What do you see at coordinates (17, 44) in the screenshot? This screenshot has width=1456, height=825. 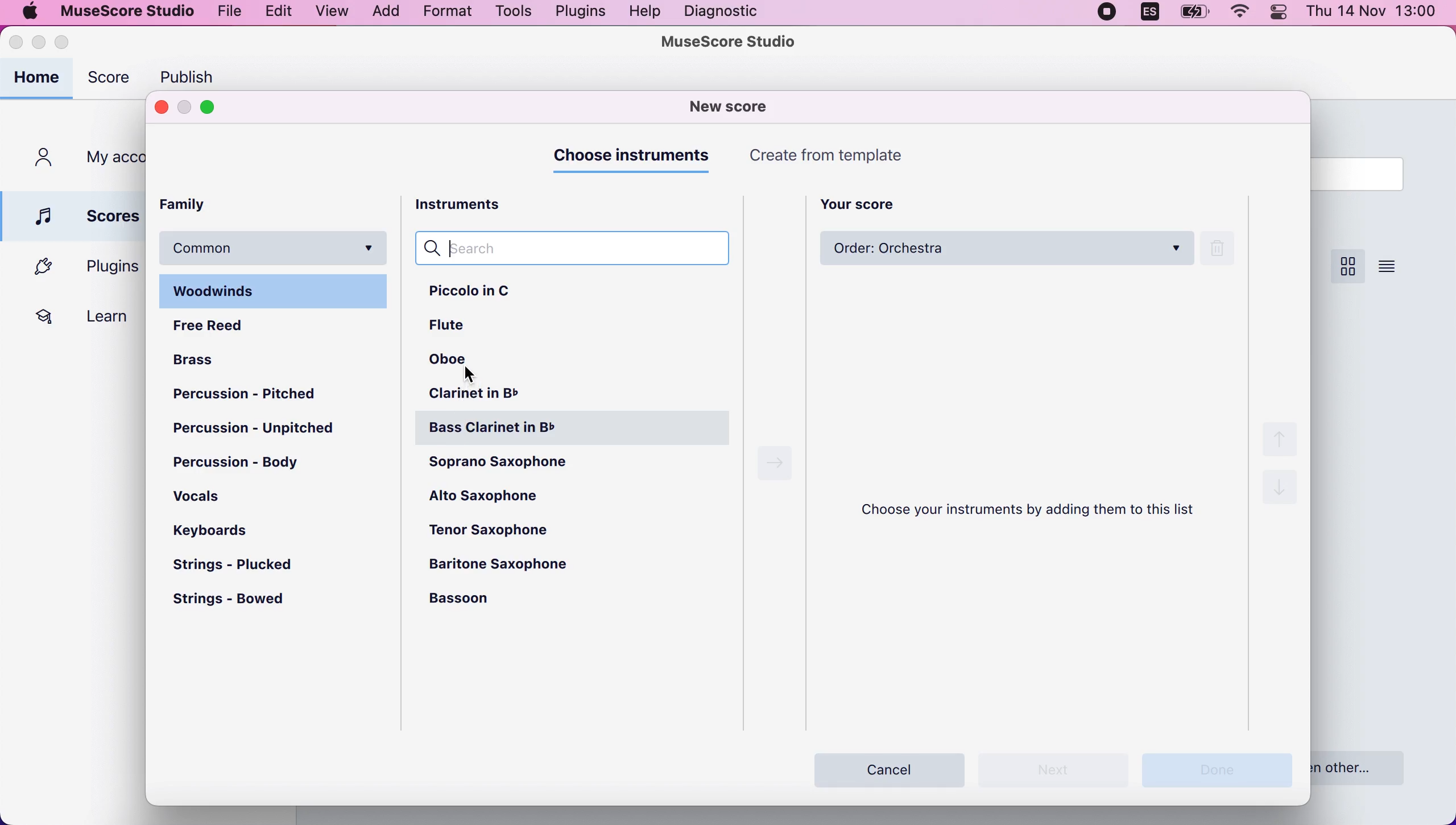 I see `close` at bounding box center [17, 44].